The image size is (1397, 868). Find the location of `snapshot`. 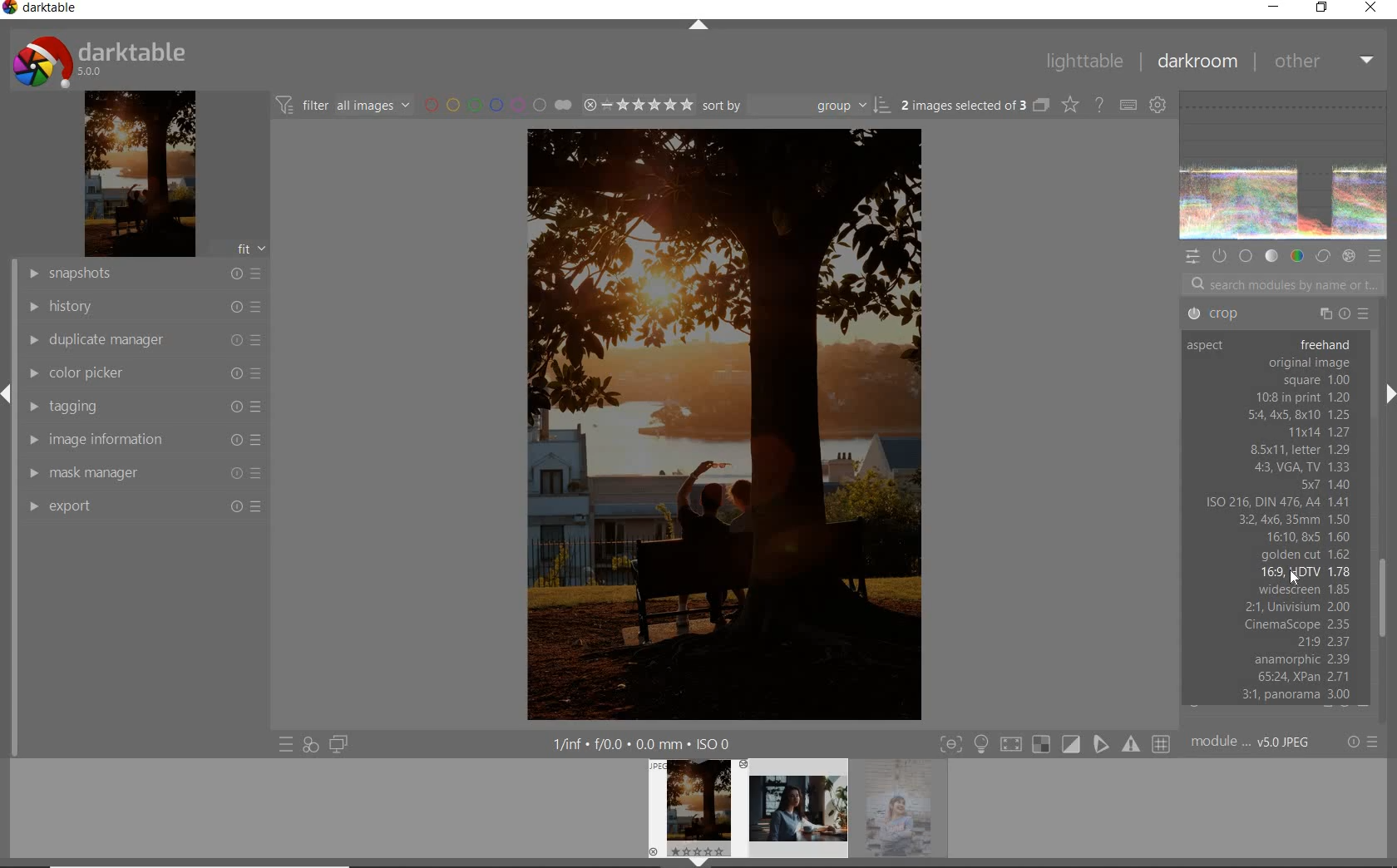

snapshot is located at coordinates (144, 275).